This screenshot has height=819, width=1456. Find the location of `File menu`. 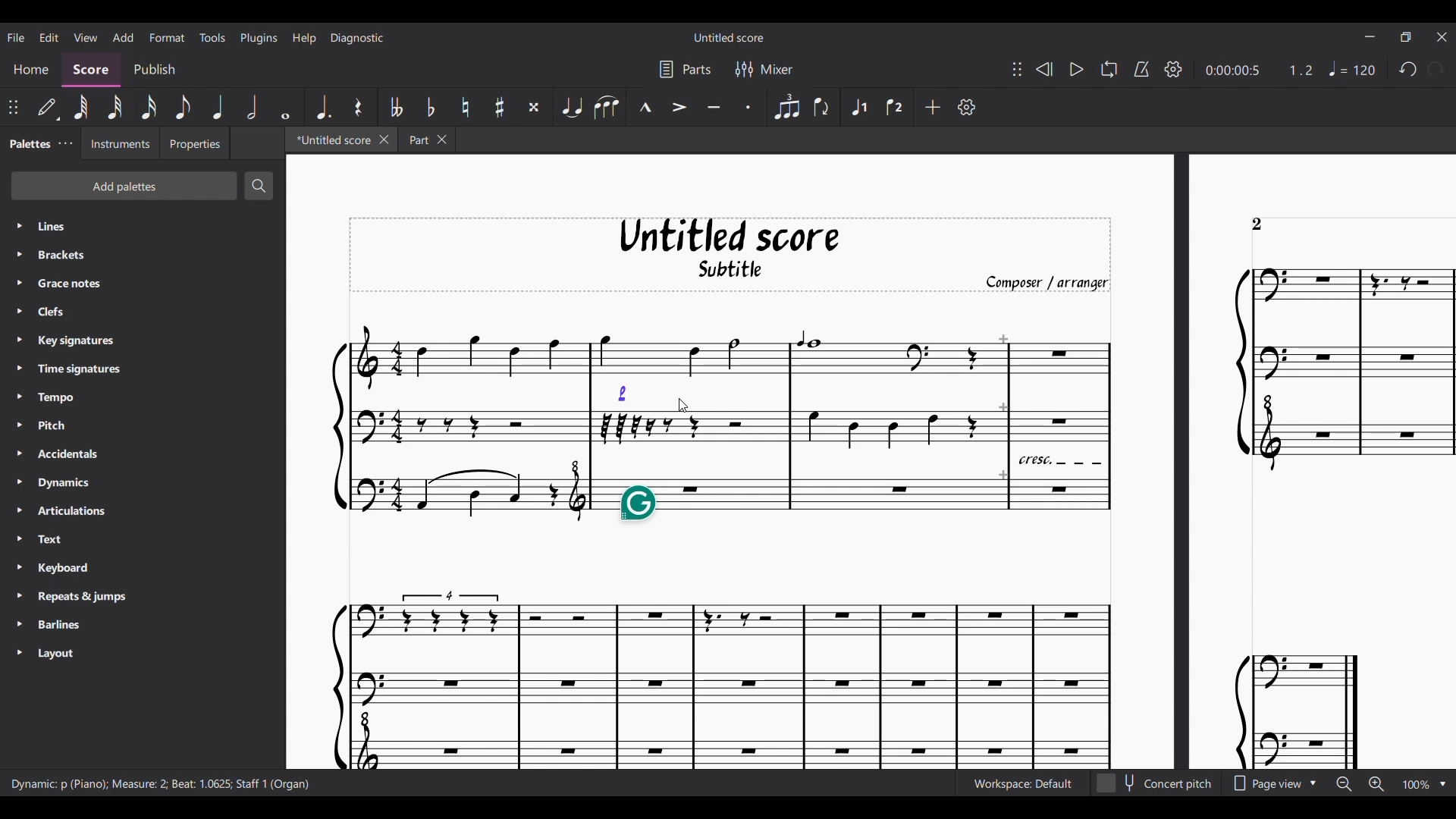

File menu is located at coordinates (16, 37).